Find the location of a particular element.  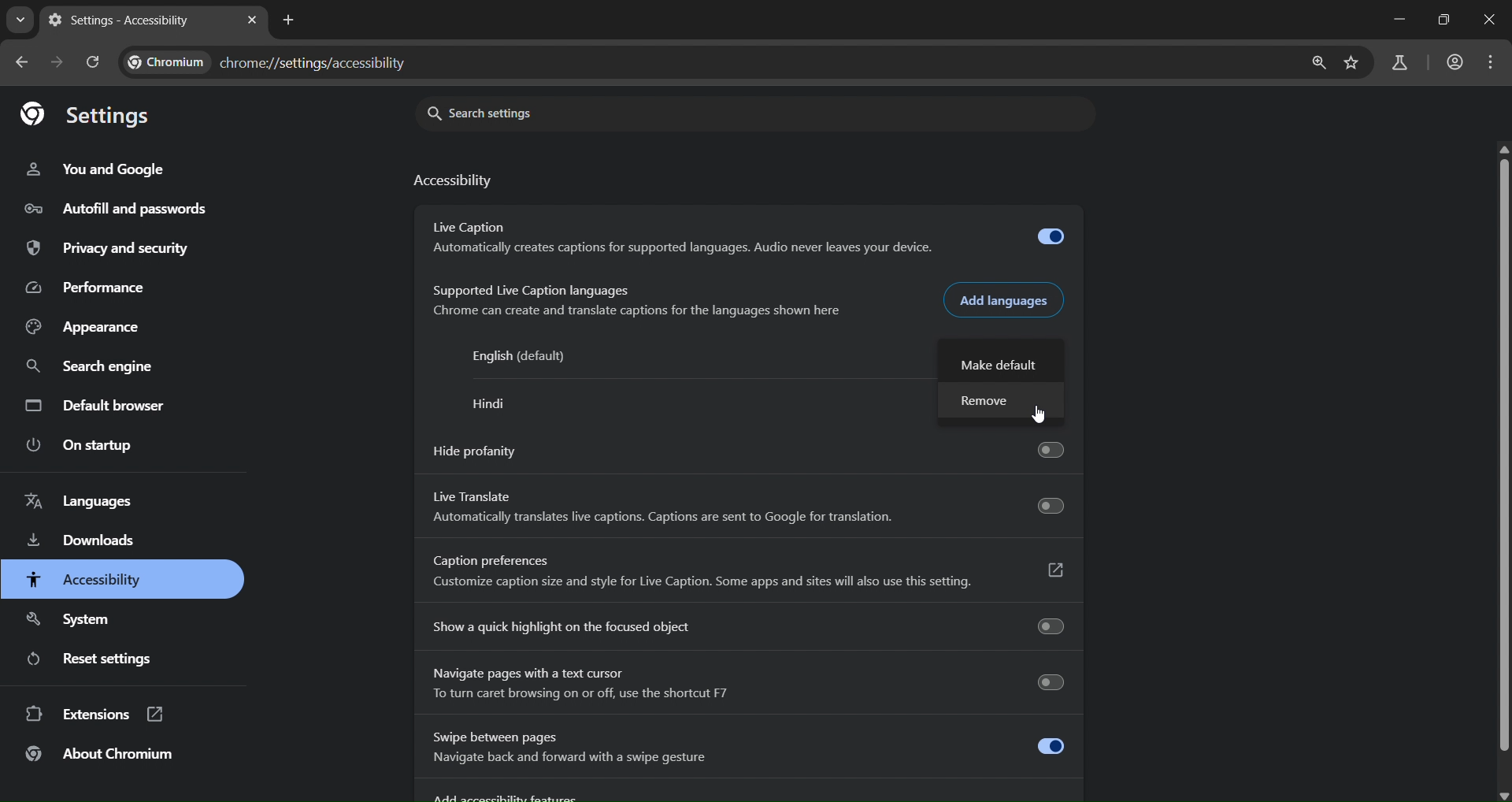

Chromium is located at coordinates (167, 60).